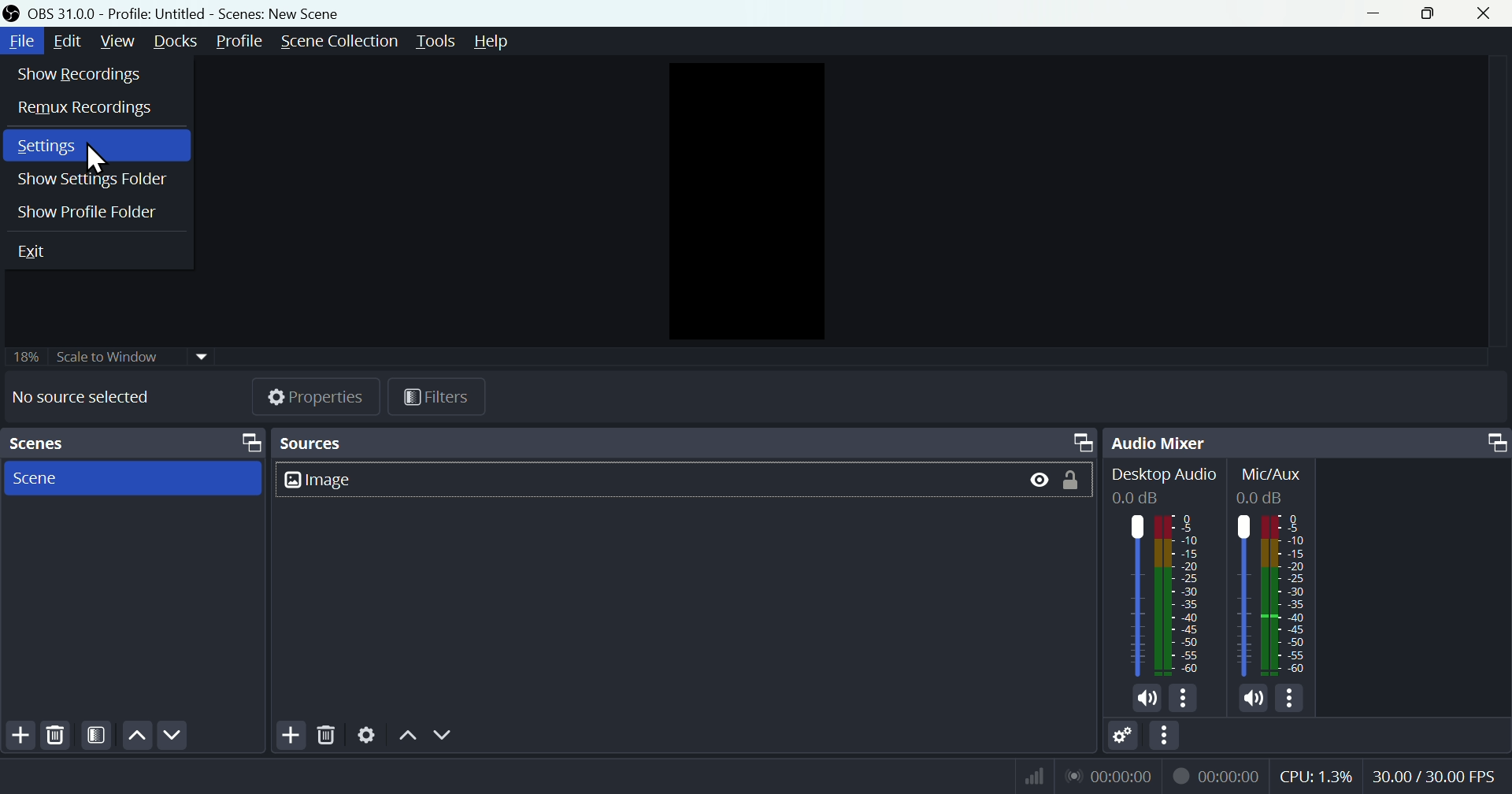 The width and height of the screenshot is (1512, 794). Describe the element at coordinates (495, 42) in the screenshot. I see `help` at that location.